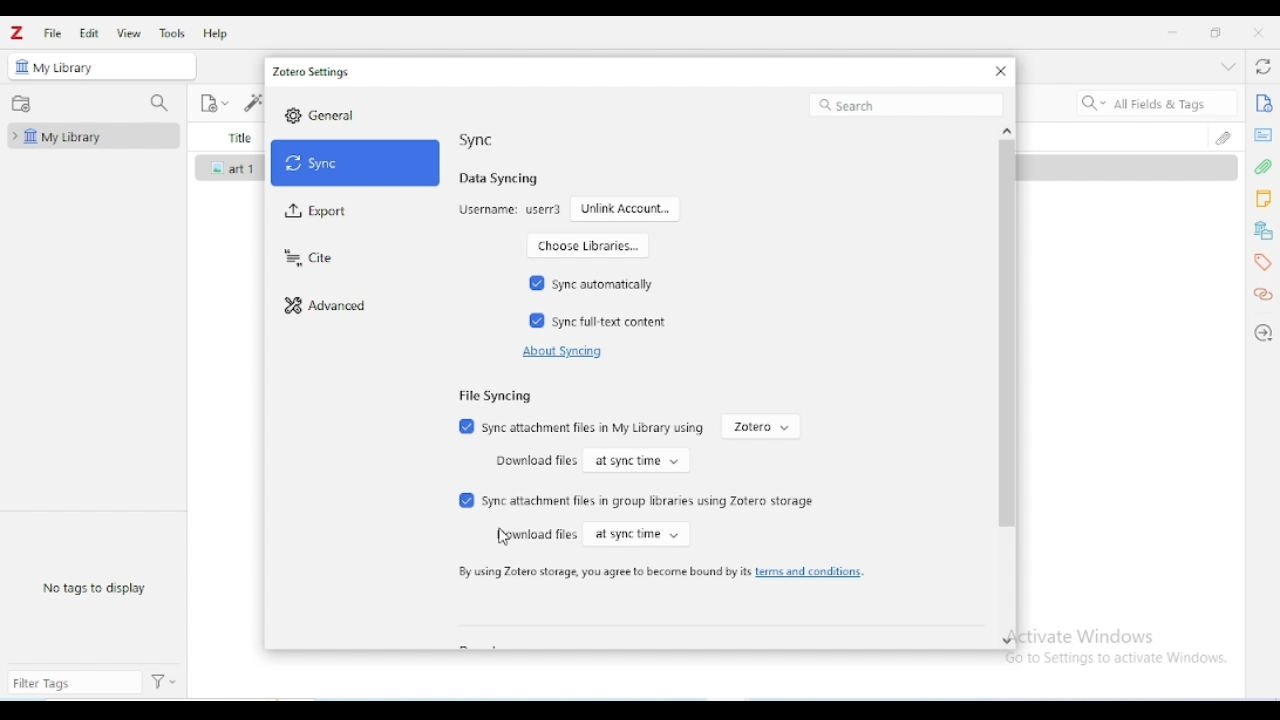  Describe the element at coordinates (467, 501) in the screenshot. I see `Checked box` at that location.